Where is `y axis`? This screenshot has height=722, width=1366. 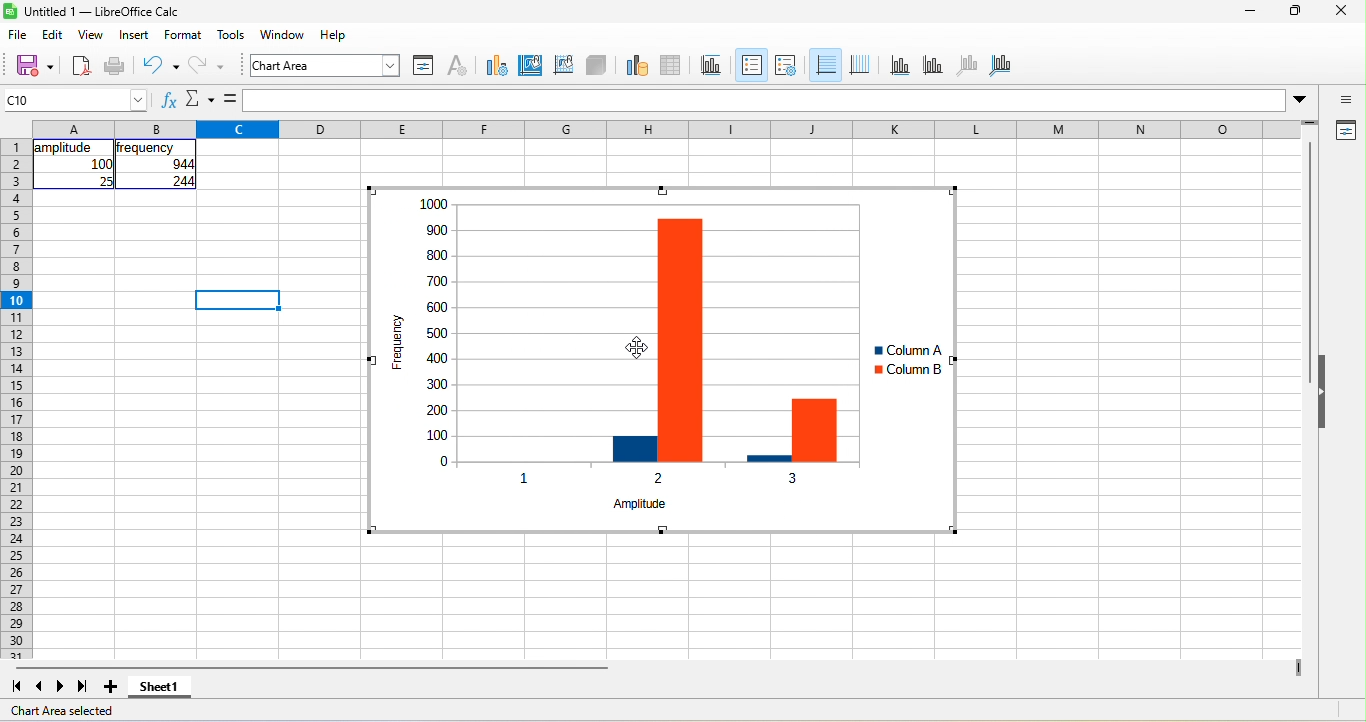 y axis is located at coordinates (933, 66).